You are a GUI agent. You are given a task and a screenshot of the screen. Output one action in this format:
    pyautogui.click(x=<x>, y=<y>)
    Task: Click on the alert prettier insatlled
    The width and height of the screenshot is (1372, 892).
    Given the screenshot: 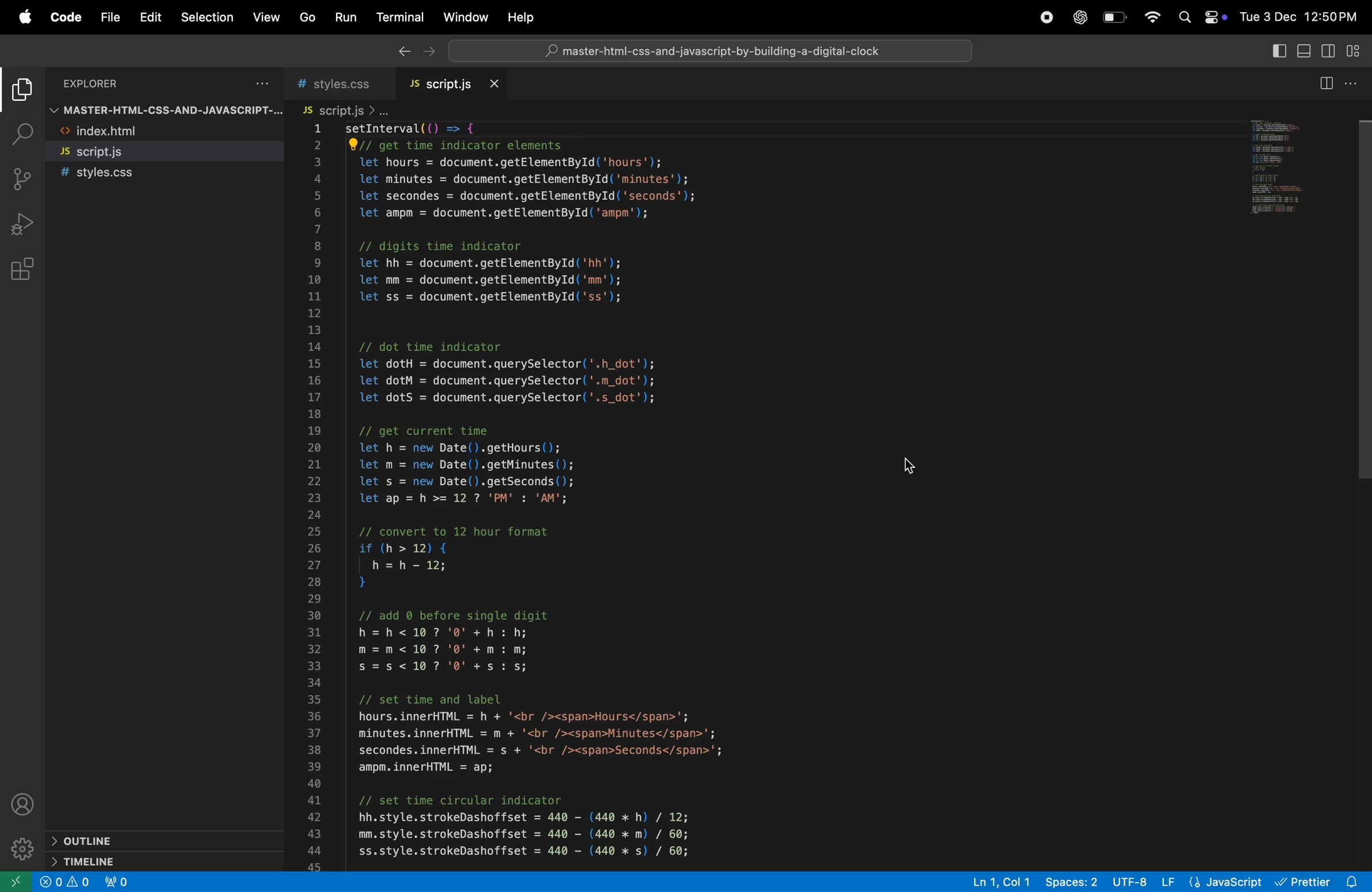 What is the action you would take?
    pyautogui.click(x=1323, y=881)
    